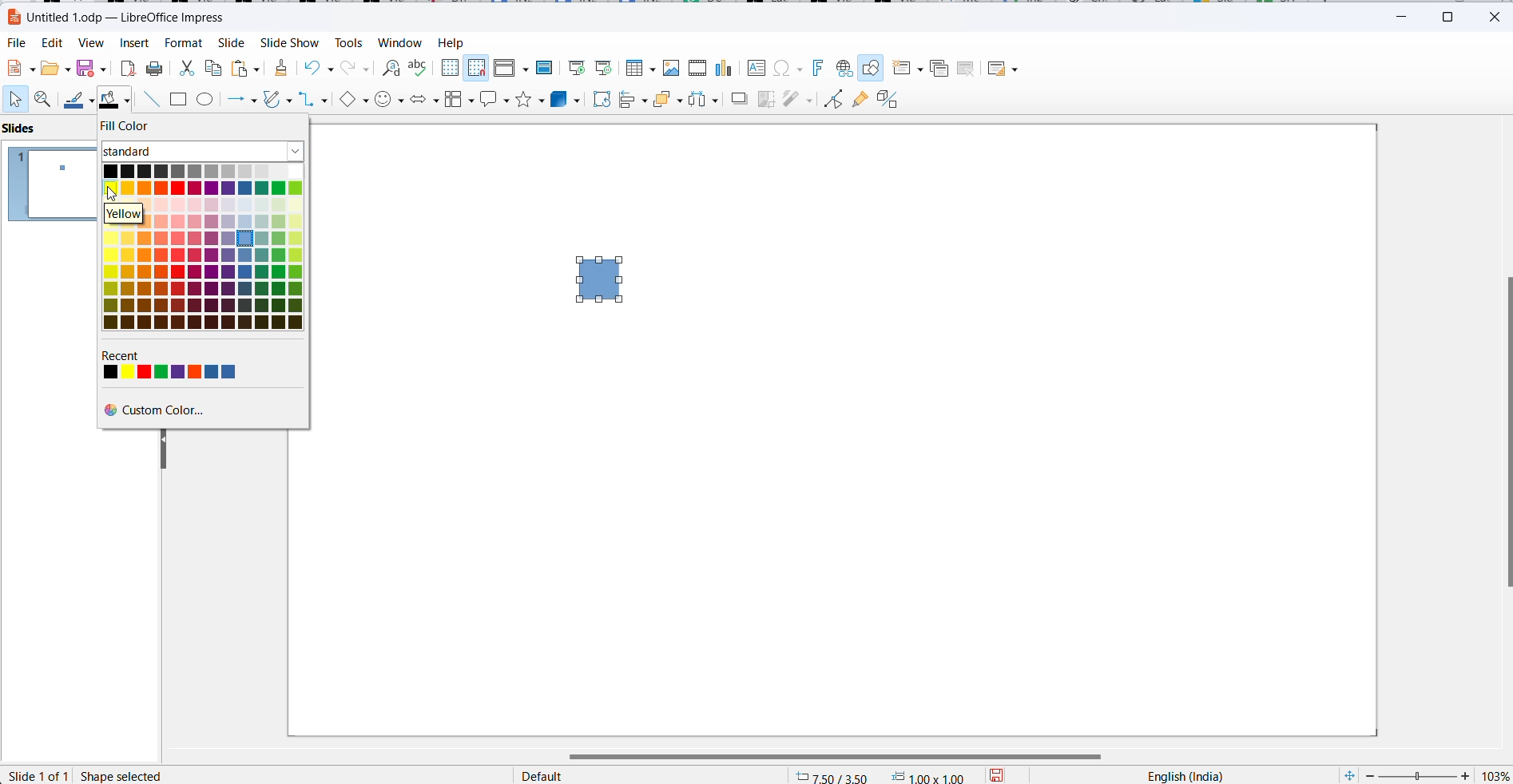 The height and width of the screenshot is (784, 1513). Describe the element at coordinates (54, 69) in the screenshot. I see `fill options` at that location.